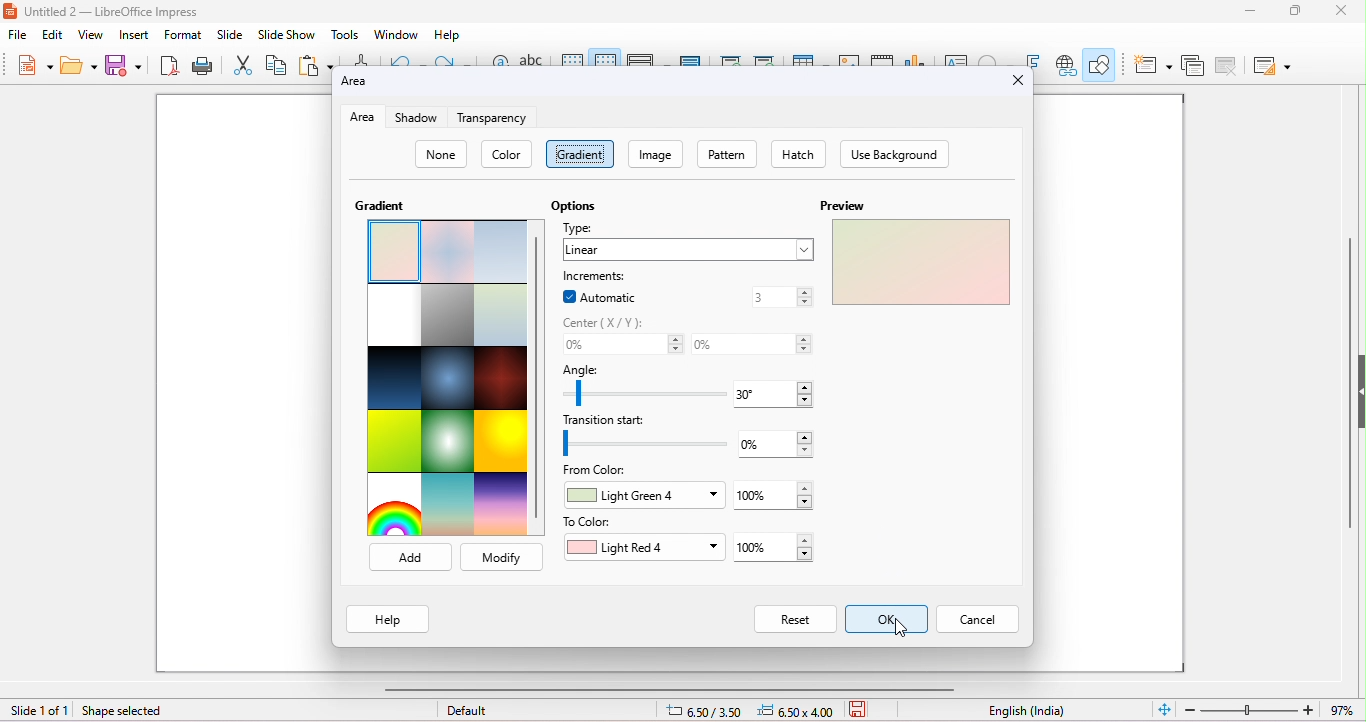 This screenshot has width=1366, height=722. I want to click on Gradient option 8, so click(446, 378).